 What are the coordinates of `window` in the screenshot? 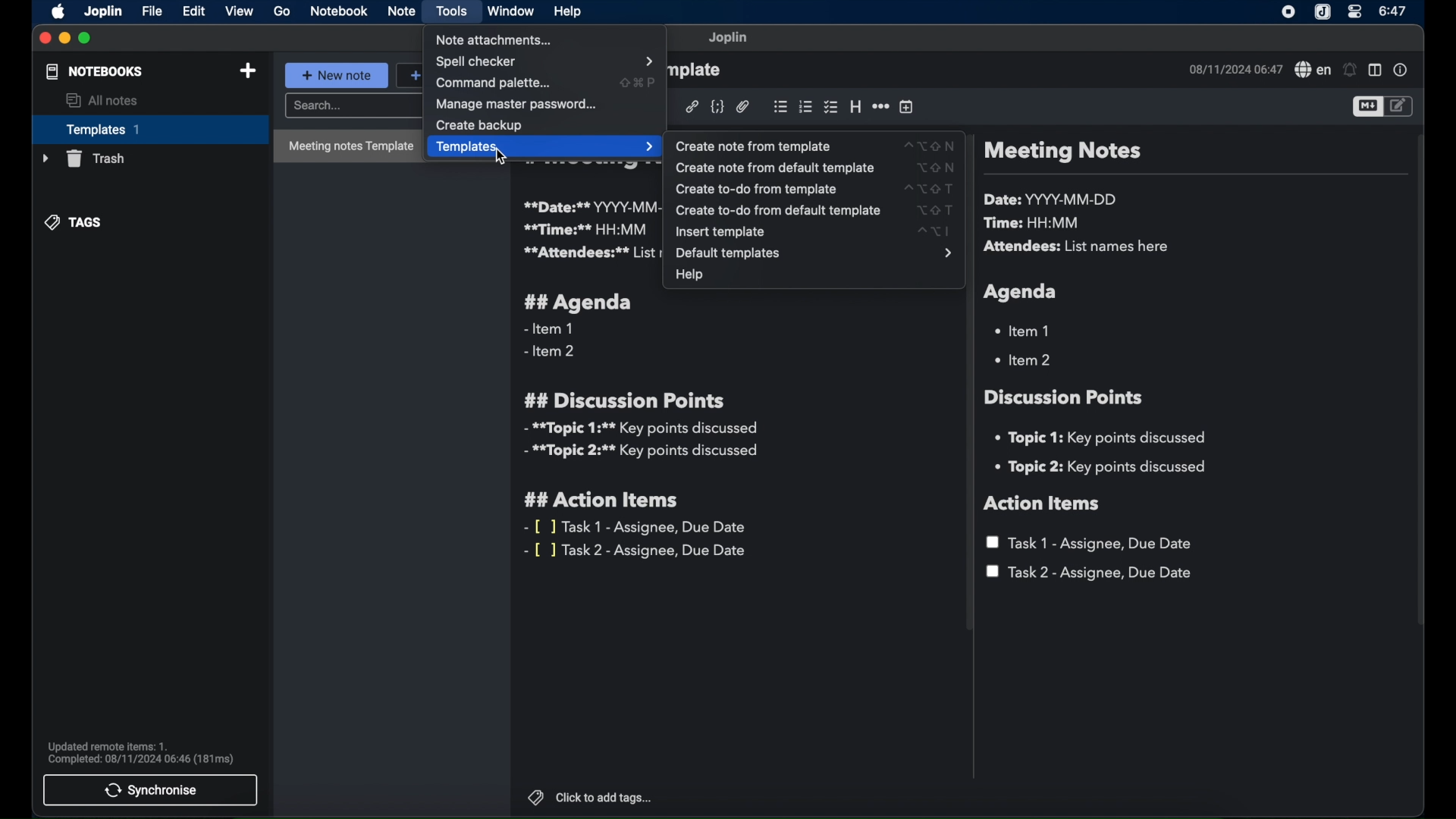 It's located at (511, 12).